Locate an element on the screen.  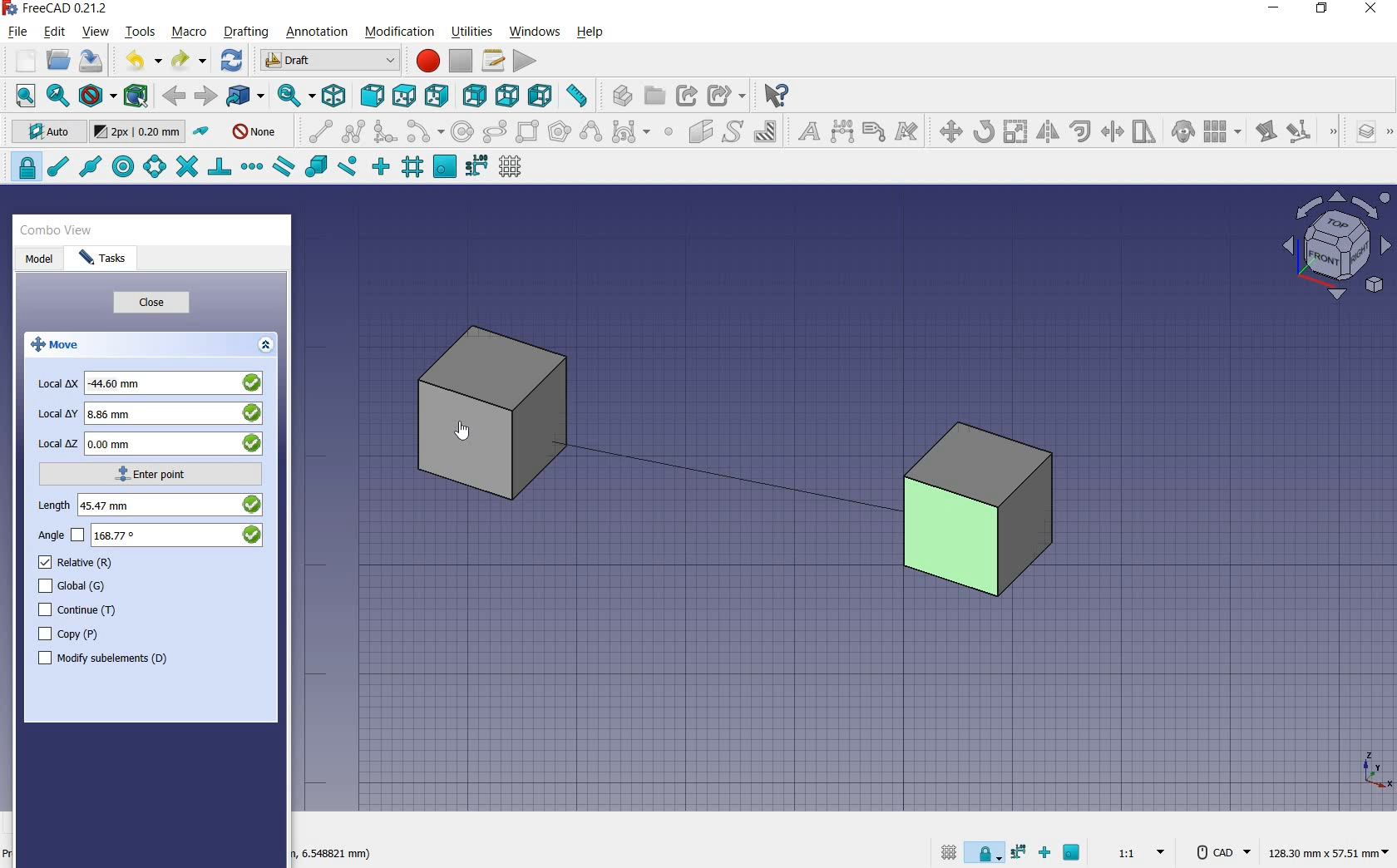
annotation is located at coordinates (319, 32).